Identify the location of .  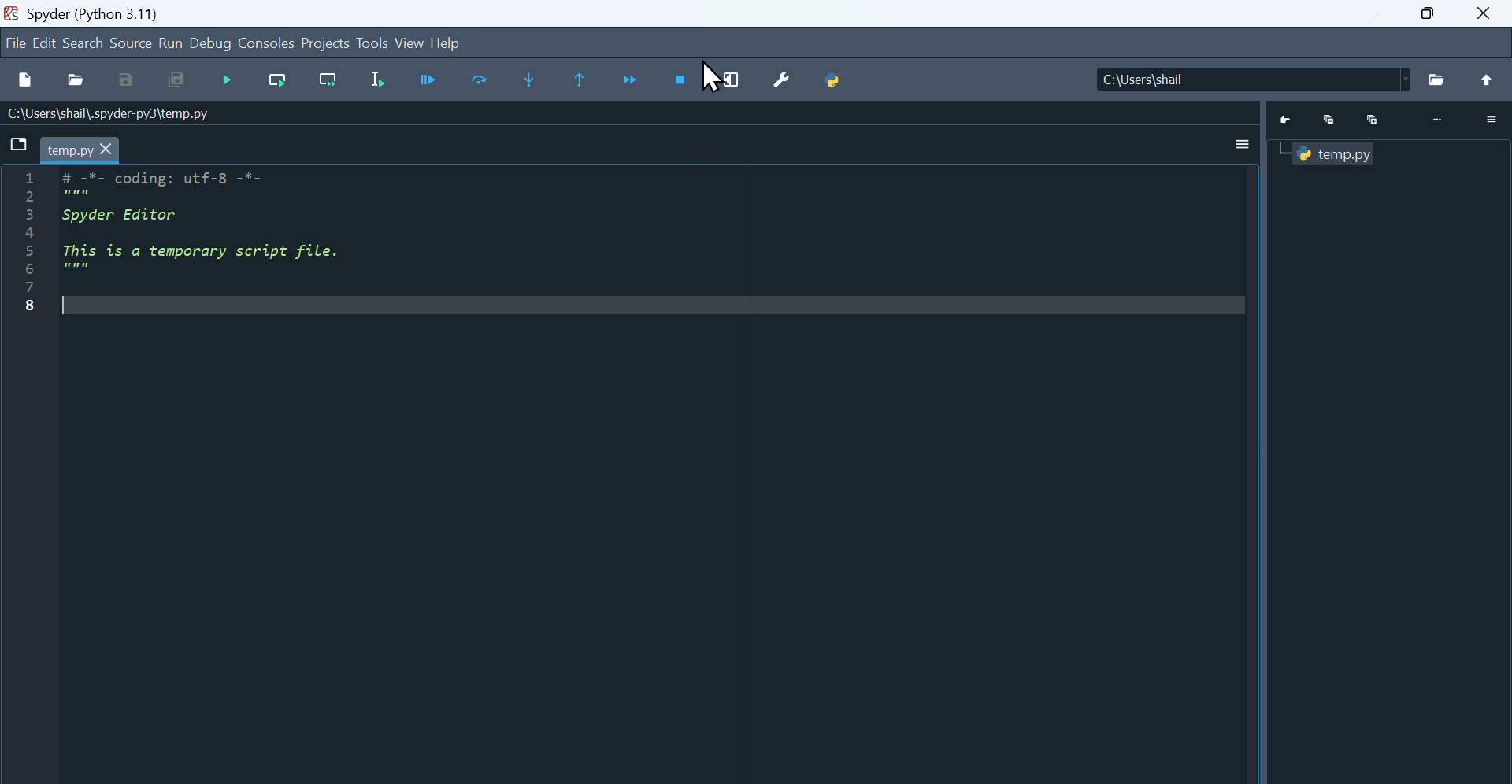
(478, 82).